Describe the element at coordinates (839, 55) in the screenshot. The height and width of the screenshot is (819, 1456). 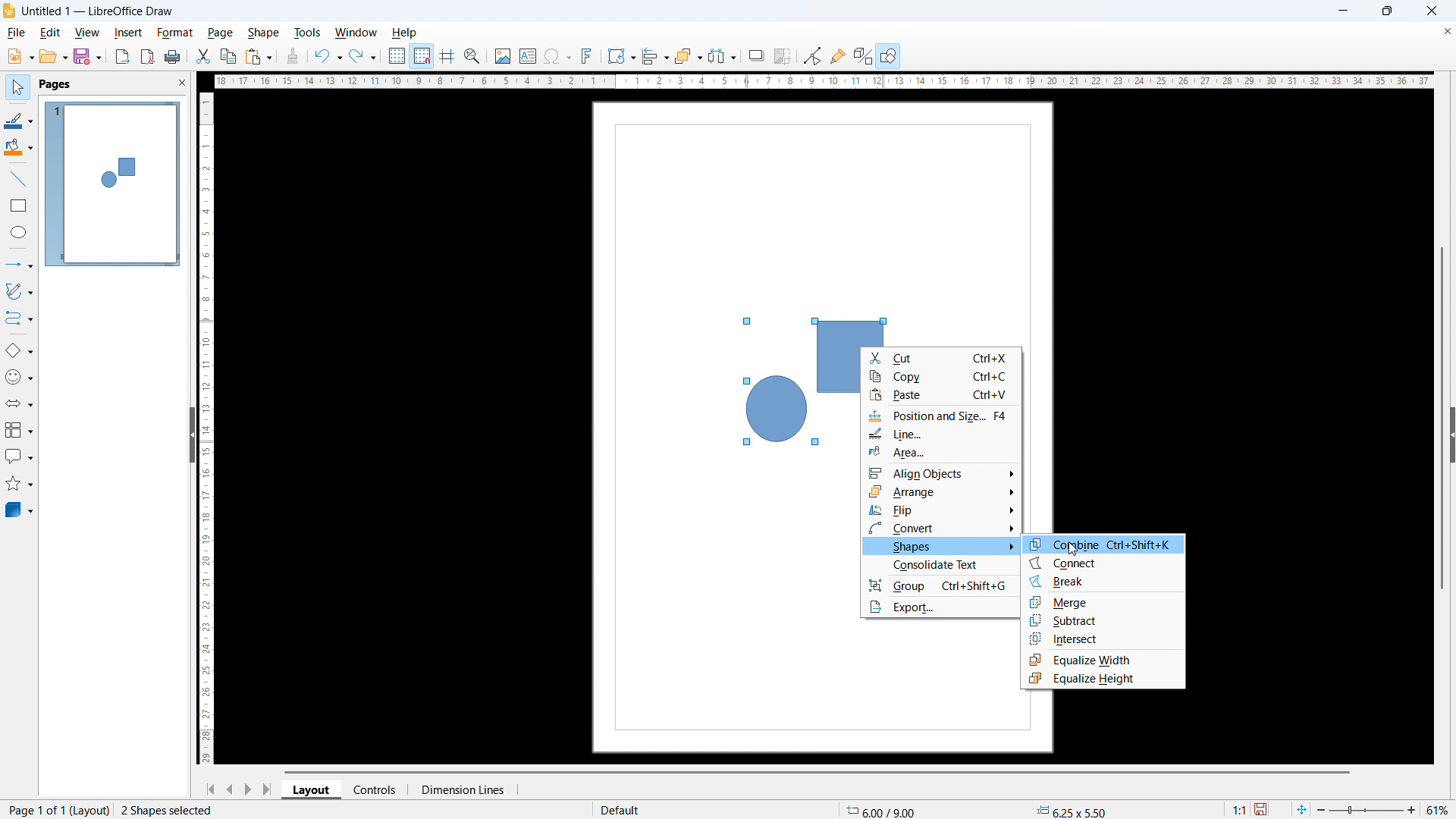
I see `show gluepoint function` at that location.